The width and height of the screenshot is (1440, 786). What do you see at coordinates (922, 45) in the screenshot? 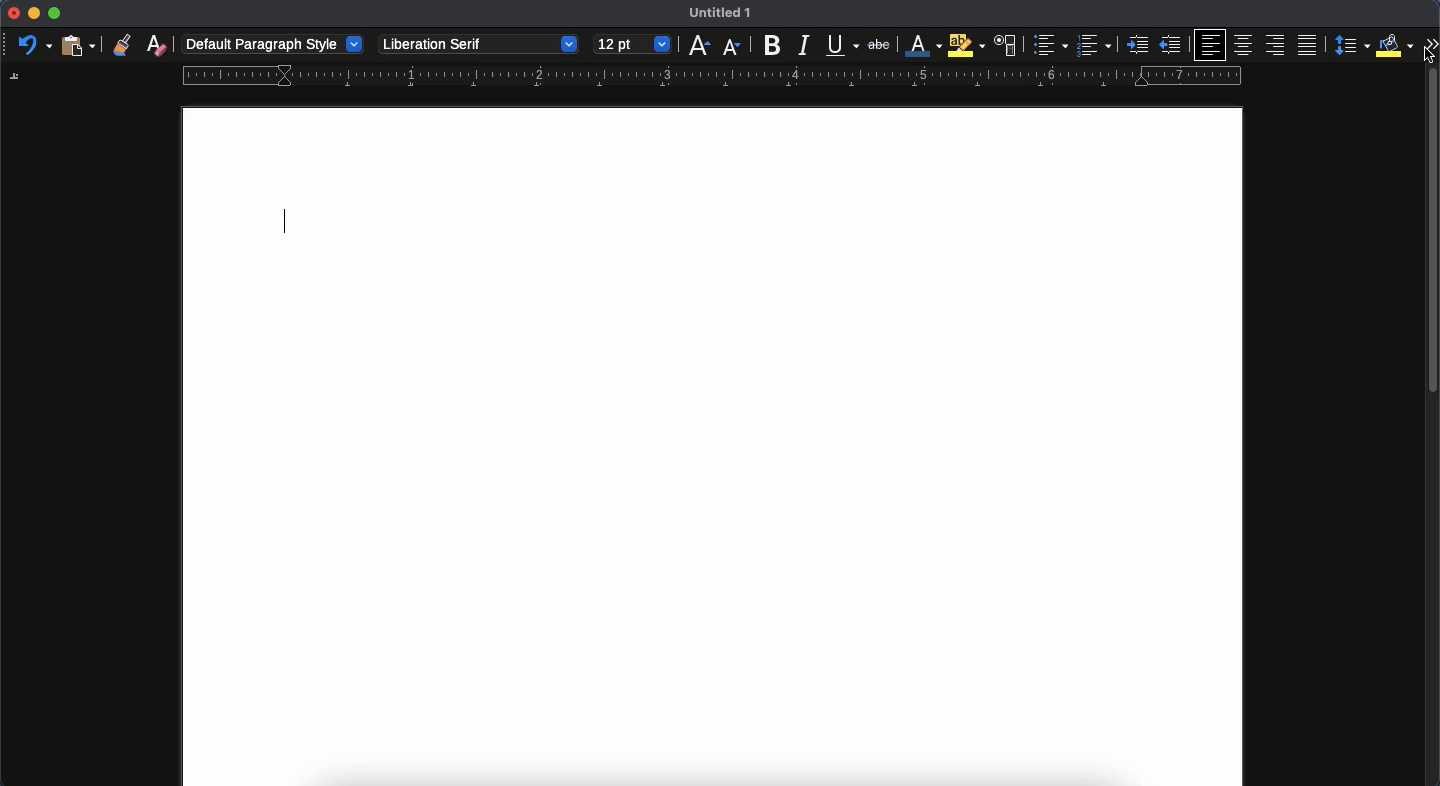
I see `font color` at bounding box center [922, 45].